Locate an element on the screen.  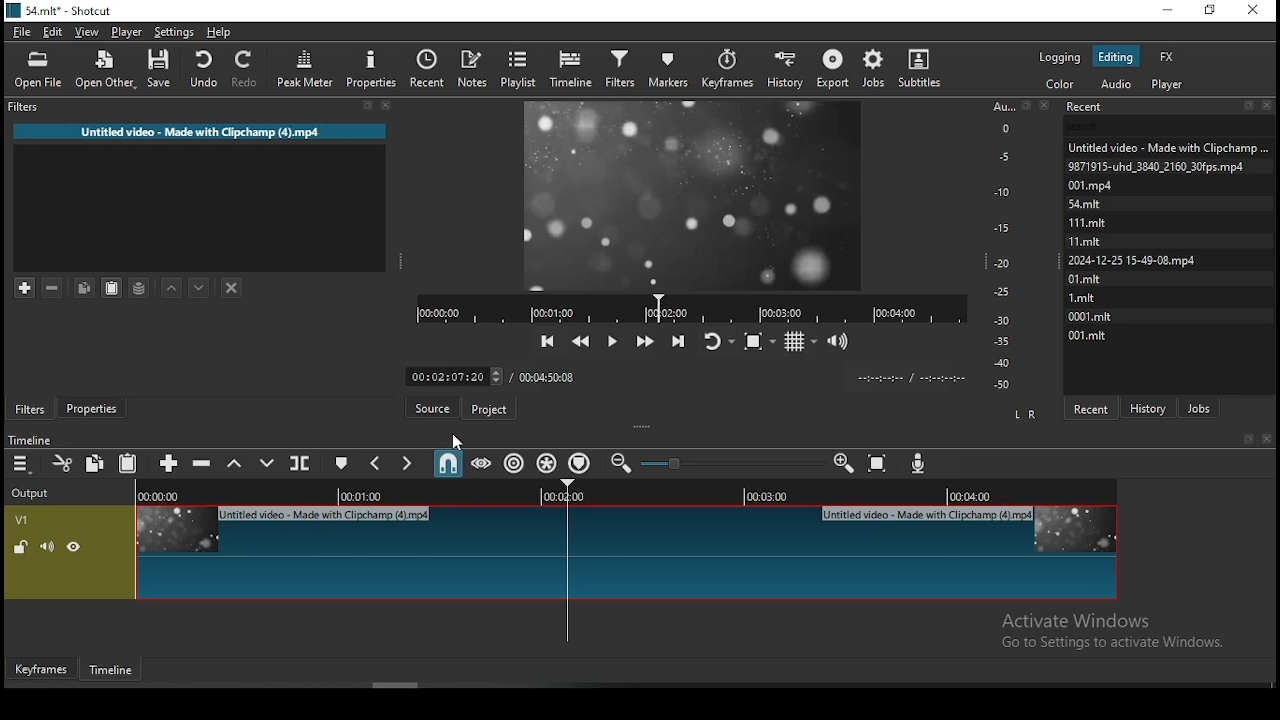
open file is located at coordinates (40, 71).